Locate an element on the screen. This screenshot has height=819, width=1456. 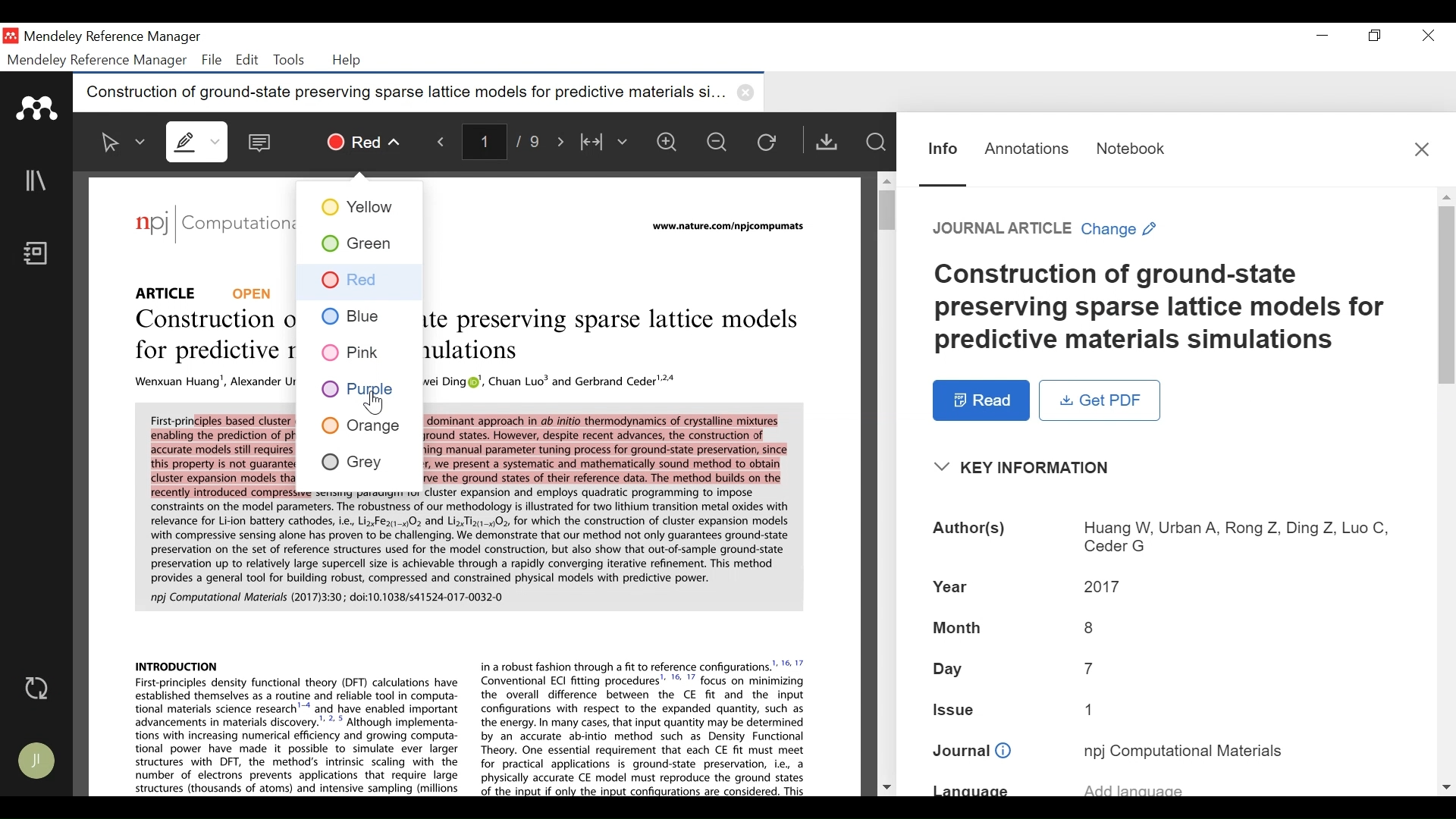
Tools is located at coordinates (288, 61).